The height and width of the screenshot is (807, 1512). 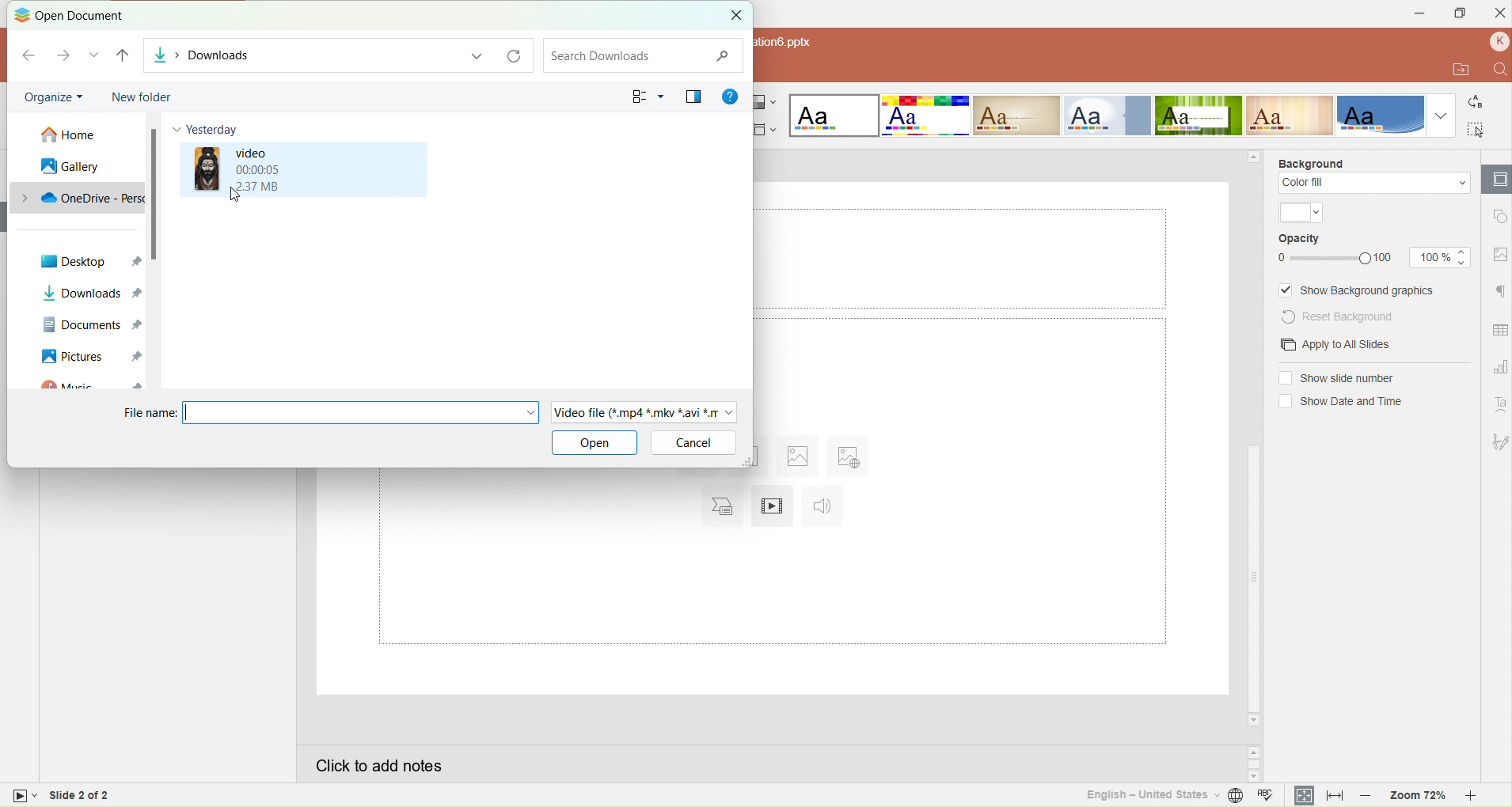 What do you see at coordinates (1252, 760) in the screenshot?
I see `Scroll buttons` at bounding box center [1252, 760].